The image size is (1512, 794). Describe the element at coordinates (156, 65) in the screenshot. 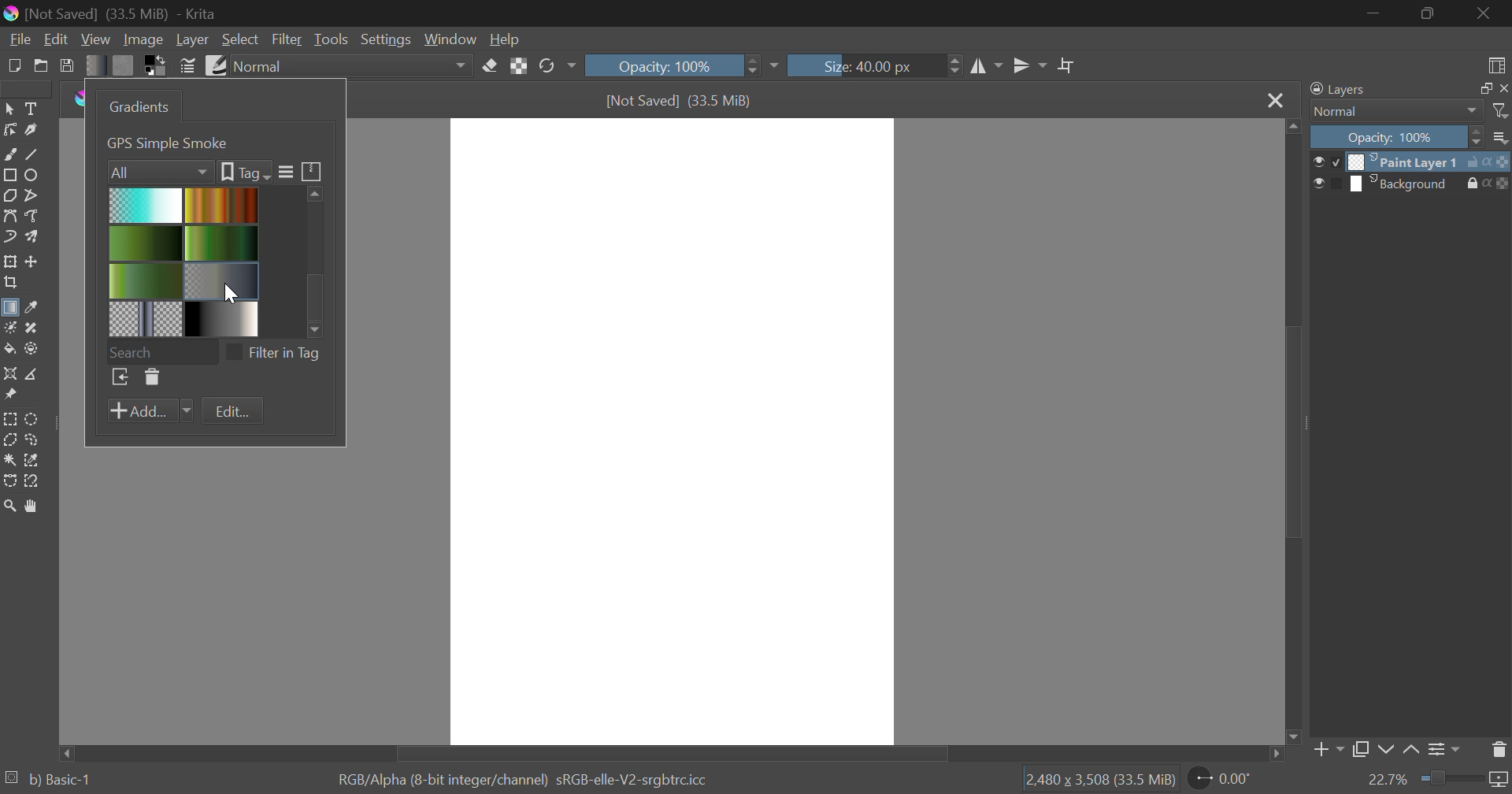

I see `Colors in use` at that location.